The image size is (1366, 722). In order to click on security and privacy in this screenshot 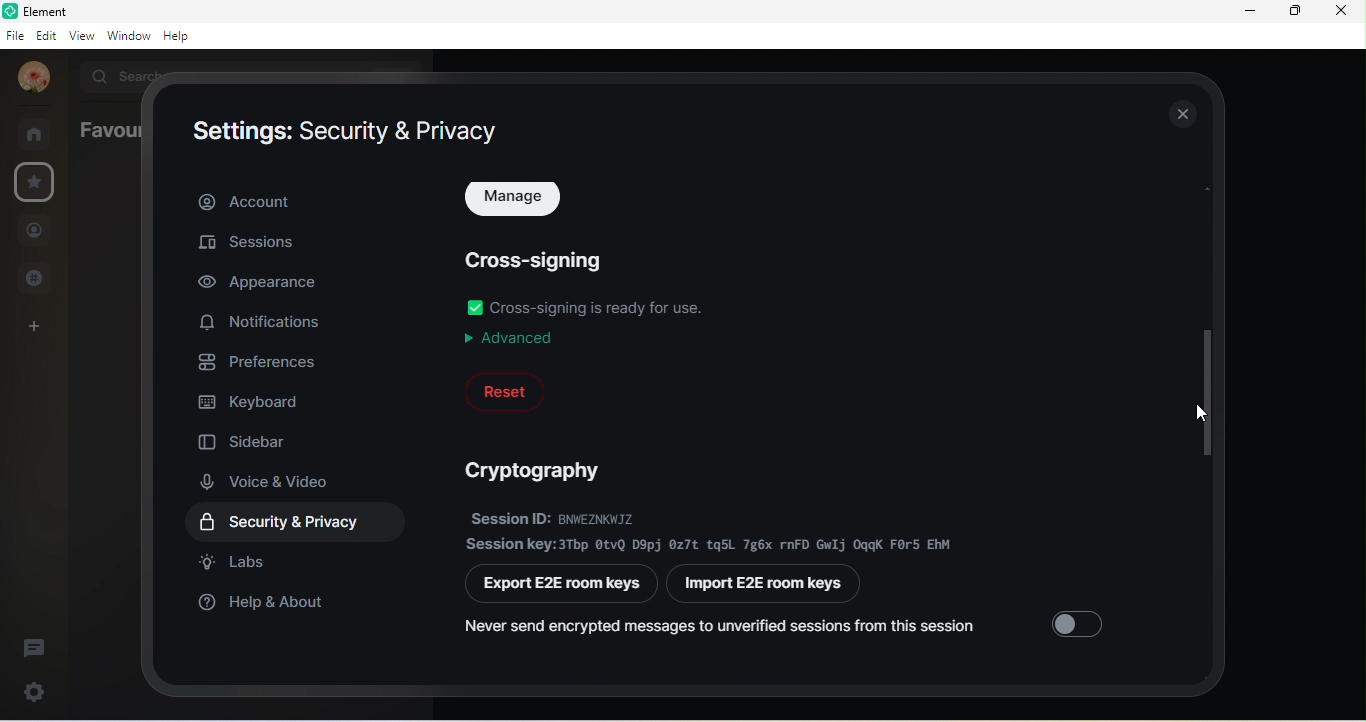, I will do `click(302, 522)`.